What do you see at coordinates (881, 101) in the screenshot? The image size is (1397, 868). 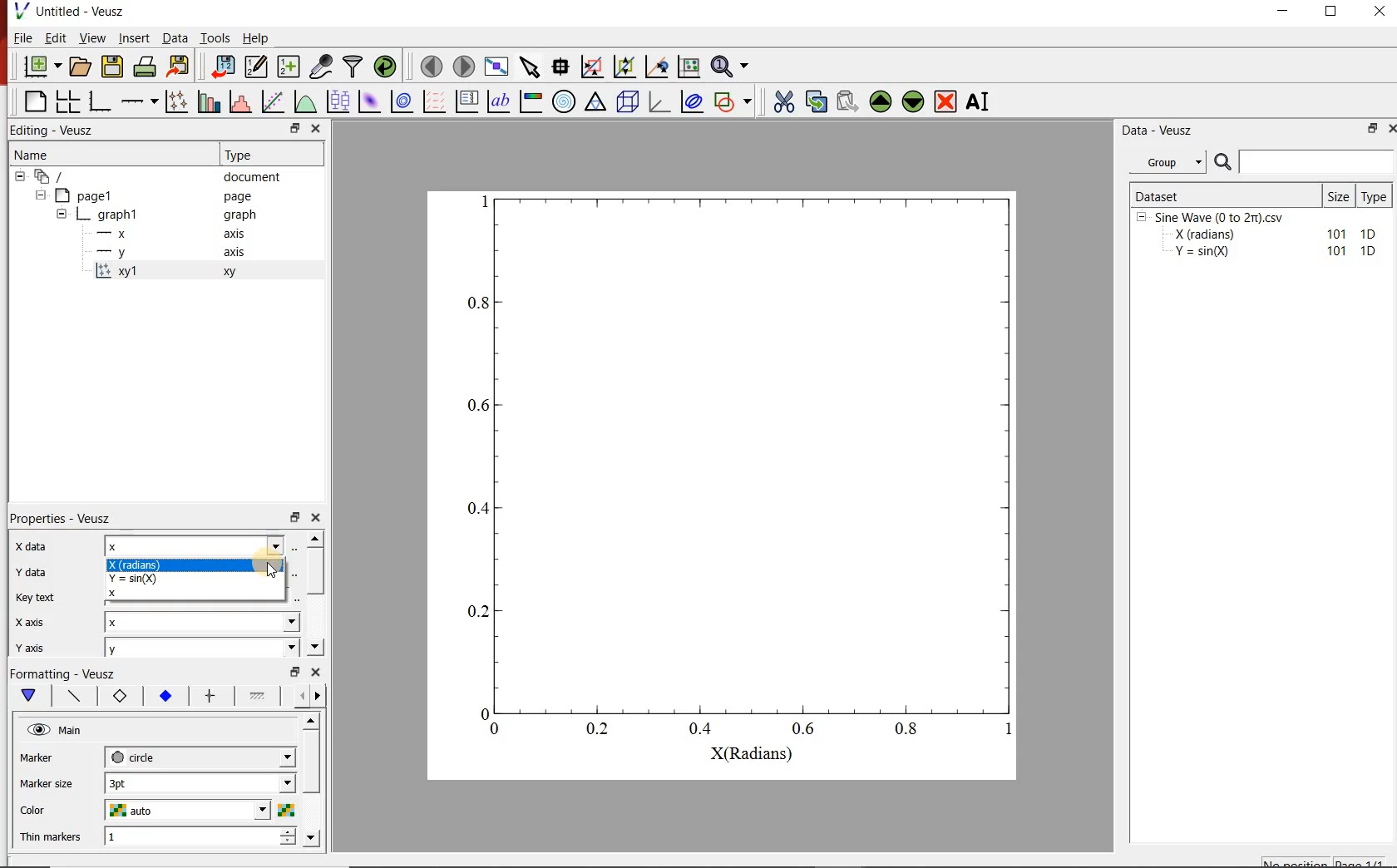 I see `move up` at bounding box center [881, 101].